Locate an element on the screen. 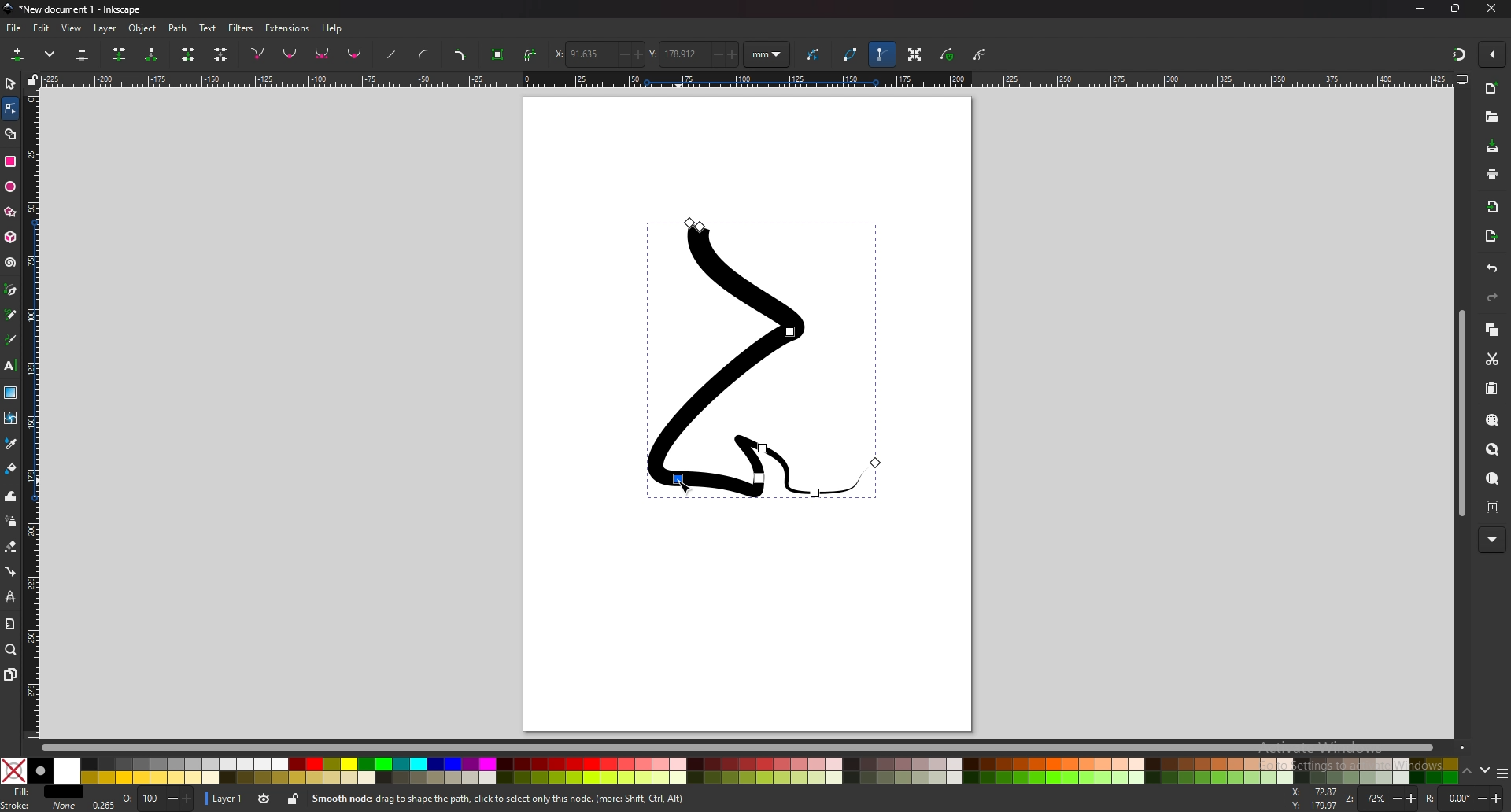 The height and width of the screenshot is (812, 1511). join endnotes with new segment is located at coordinates (189, 55).